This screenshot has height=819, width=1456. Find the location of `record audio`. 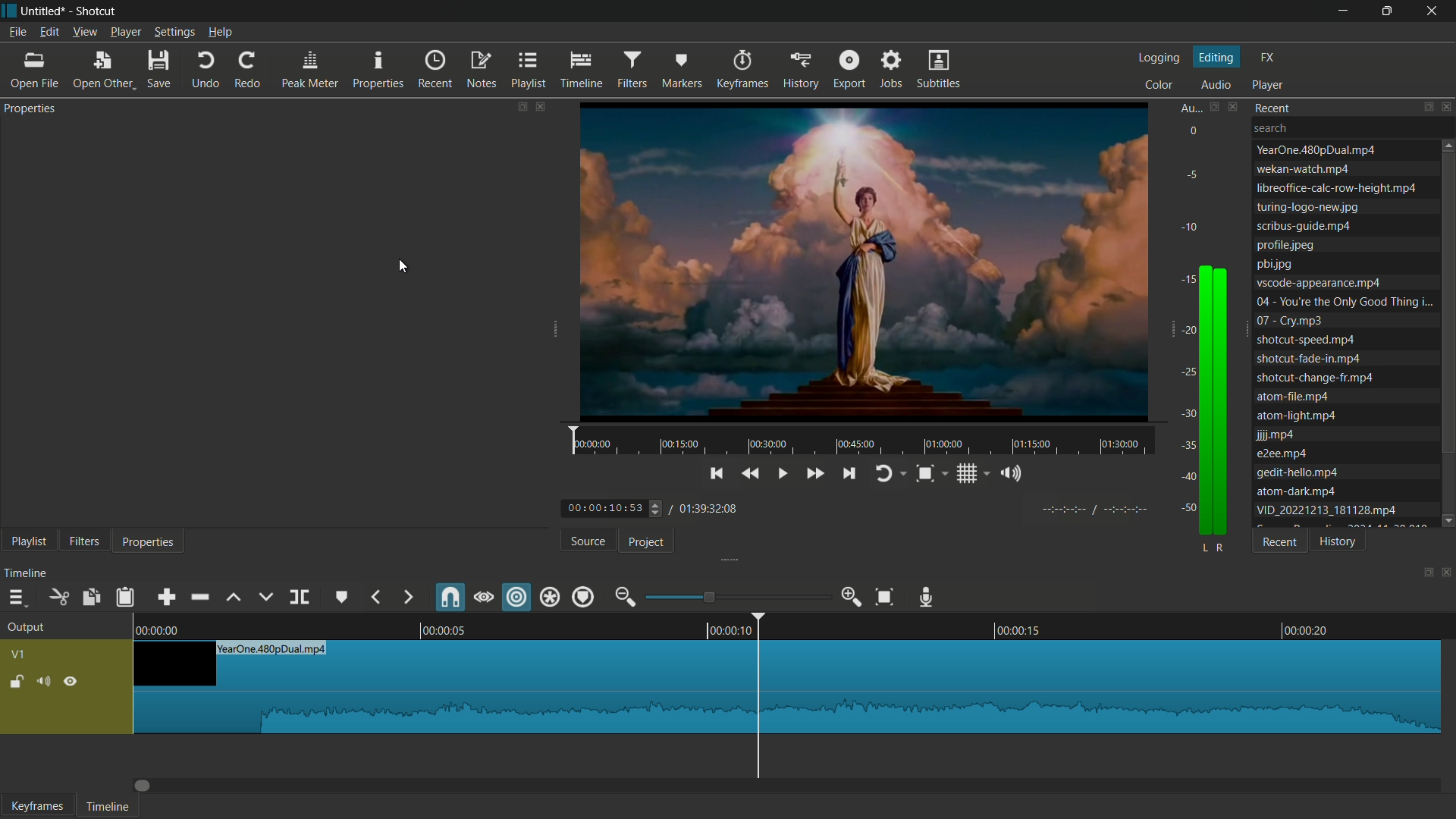

record audio is located at coordinates (929, 598).